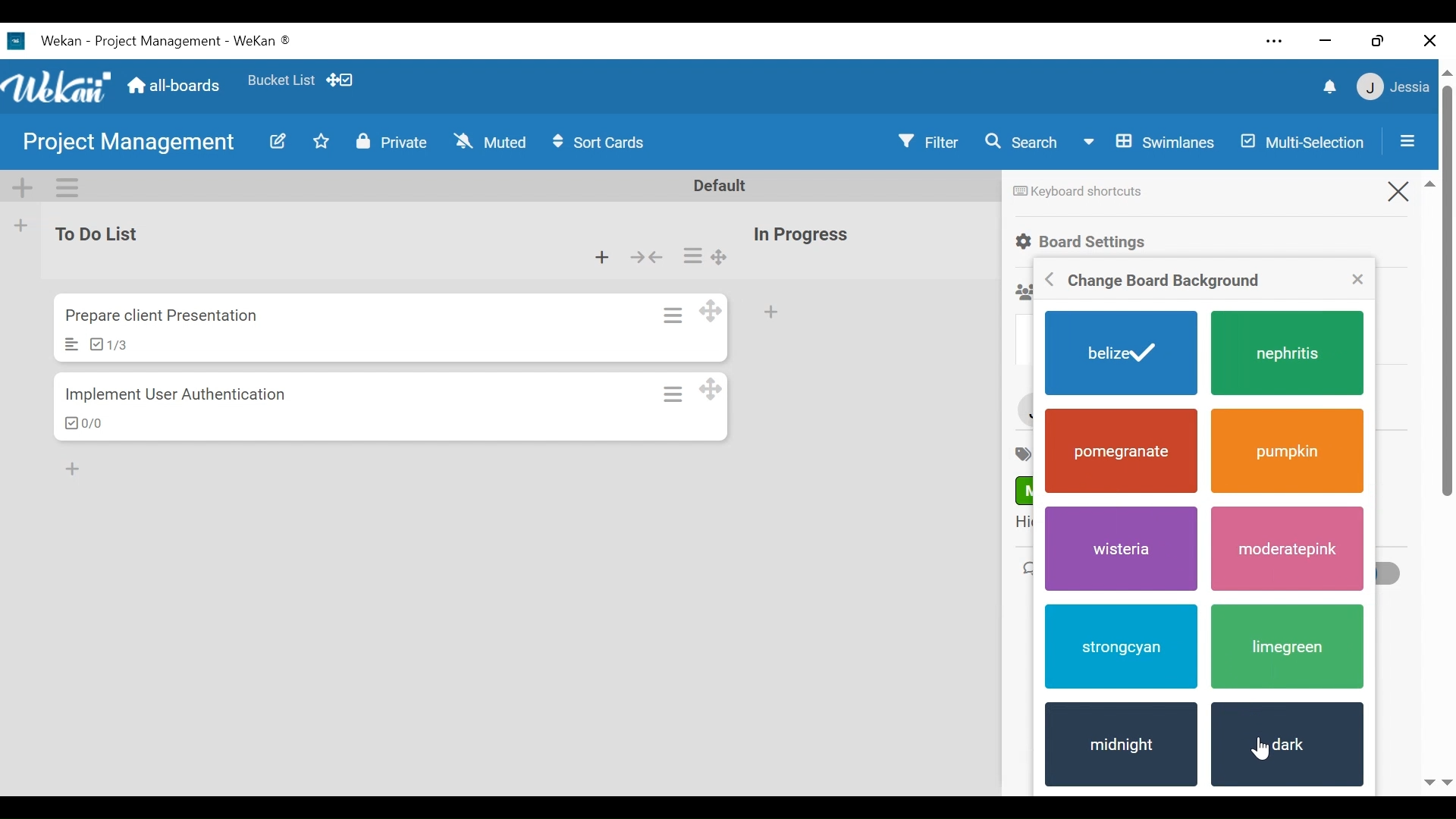 The image size is (1456, 819). I want to click on nephritis, so click(1290, 355).